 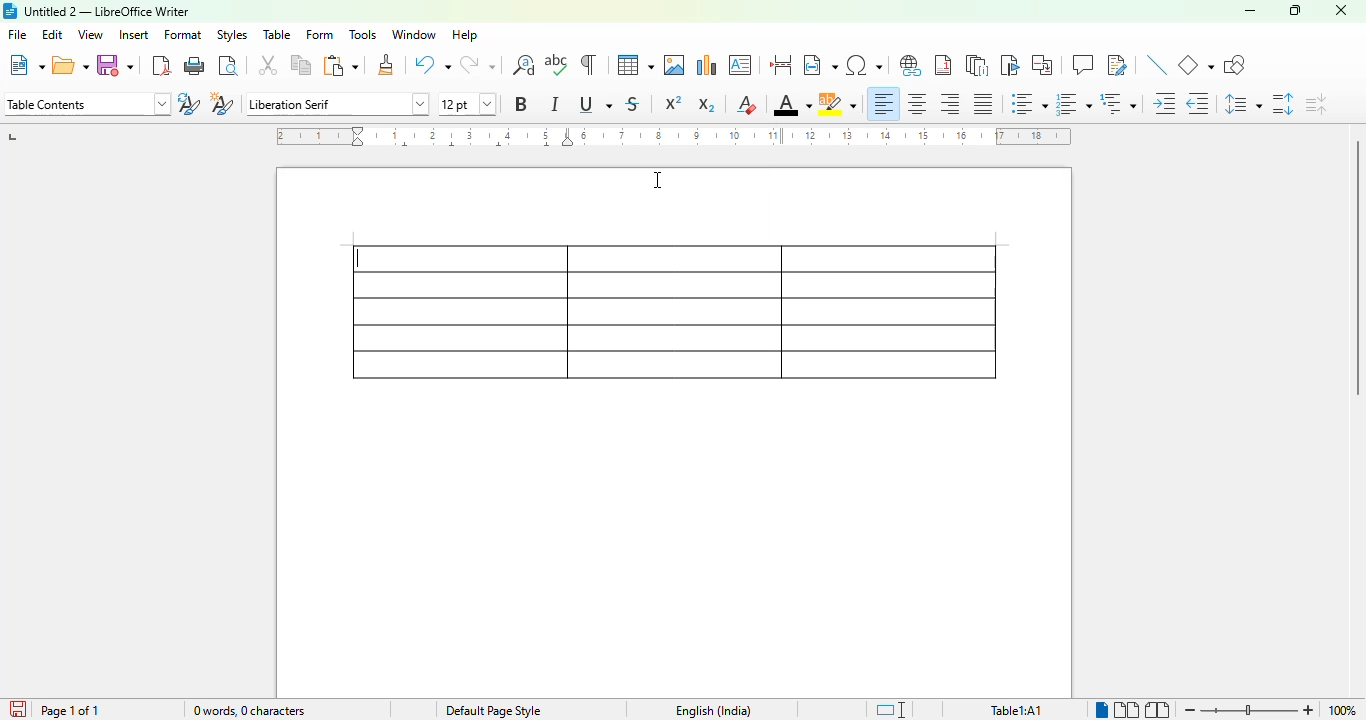 What do you see at coordinates (883, 104) in the screenshot?
I see `align left` at bounding box center [883, 104].